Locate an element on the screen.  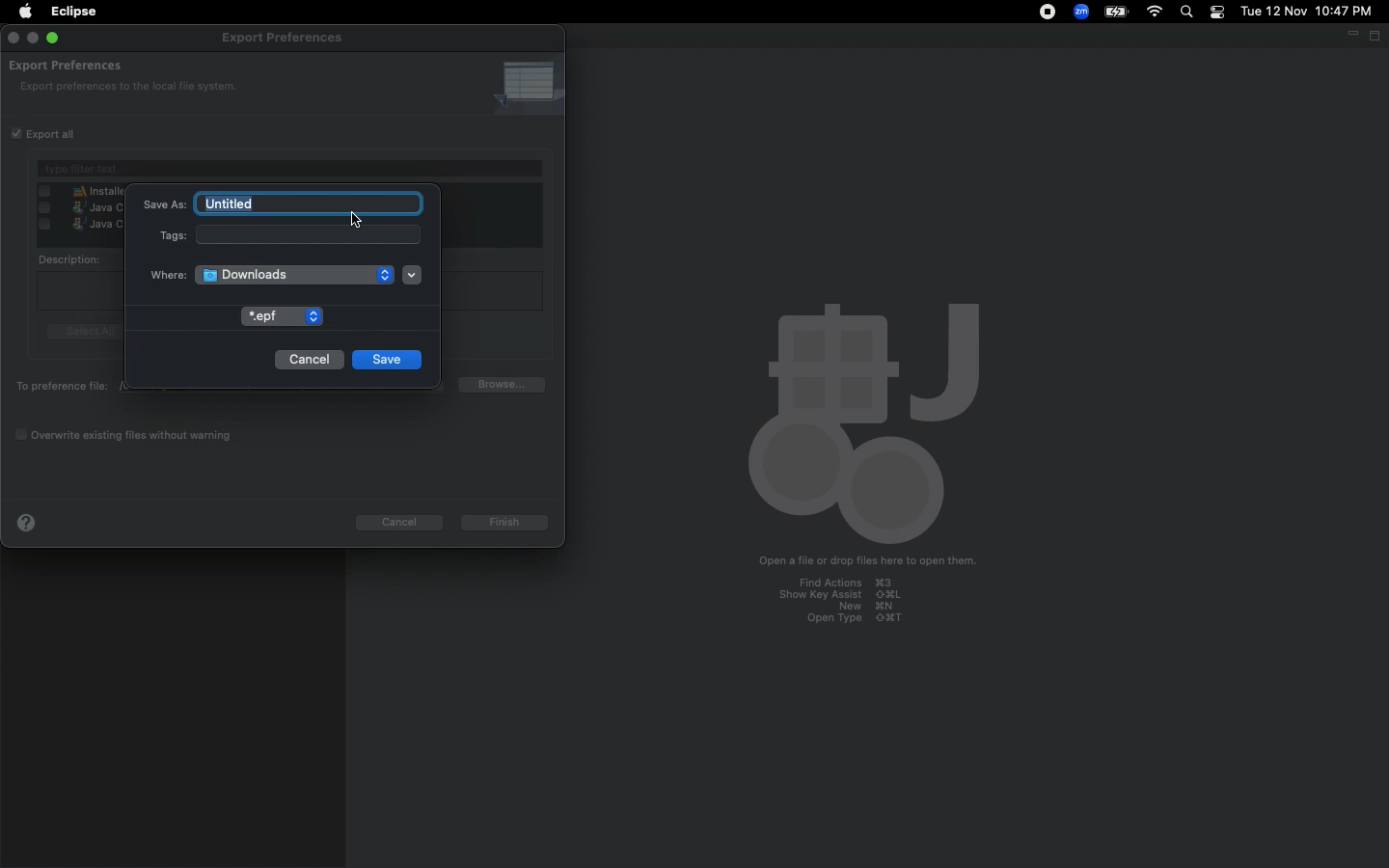
export all is located at coordinates (60, 135).